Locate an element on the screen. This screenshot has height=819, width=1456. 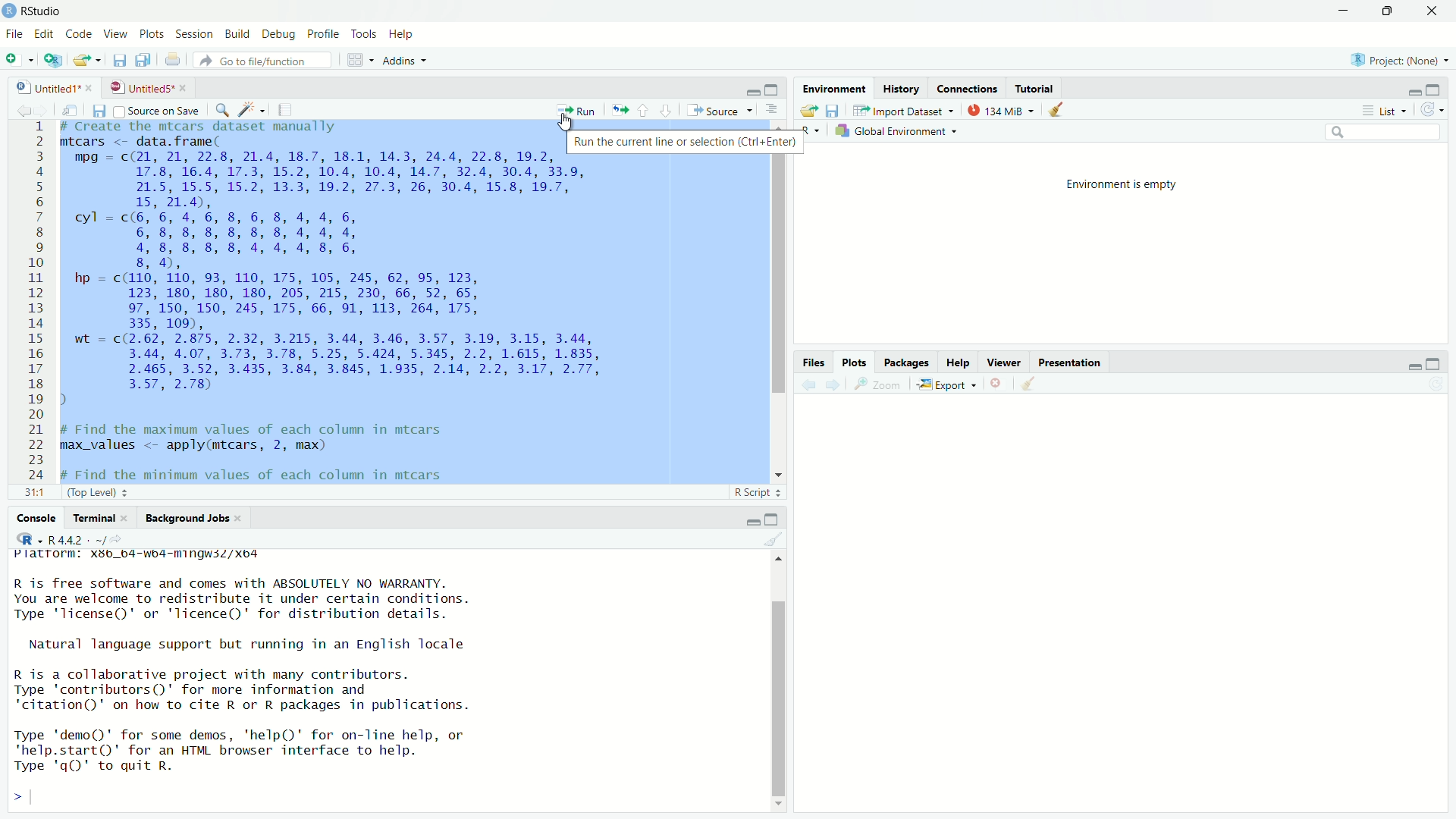
| Untitled5* * is located at coordinates (146, 87).